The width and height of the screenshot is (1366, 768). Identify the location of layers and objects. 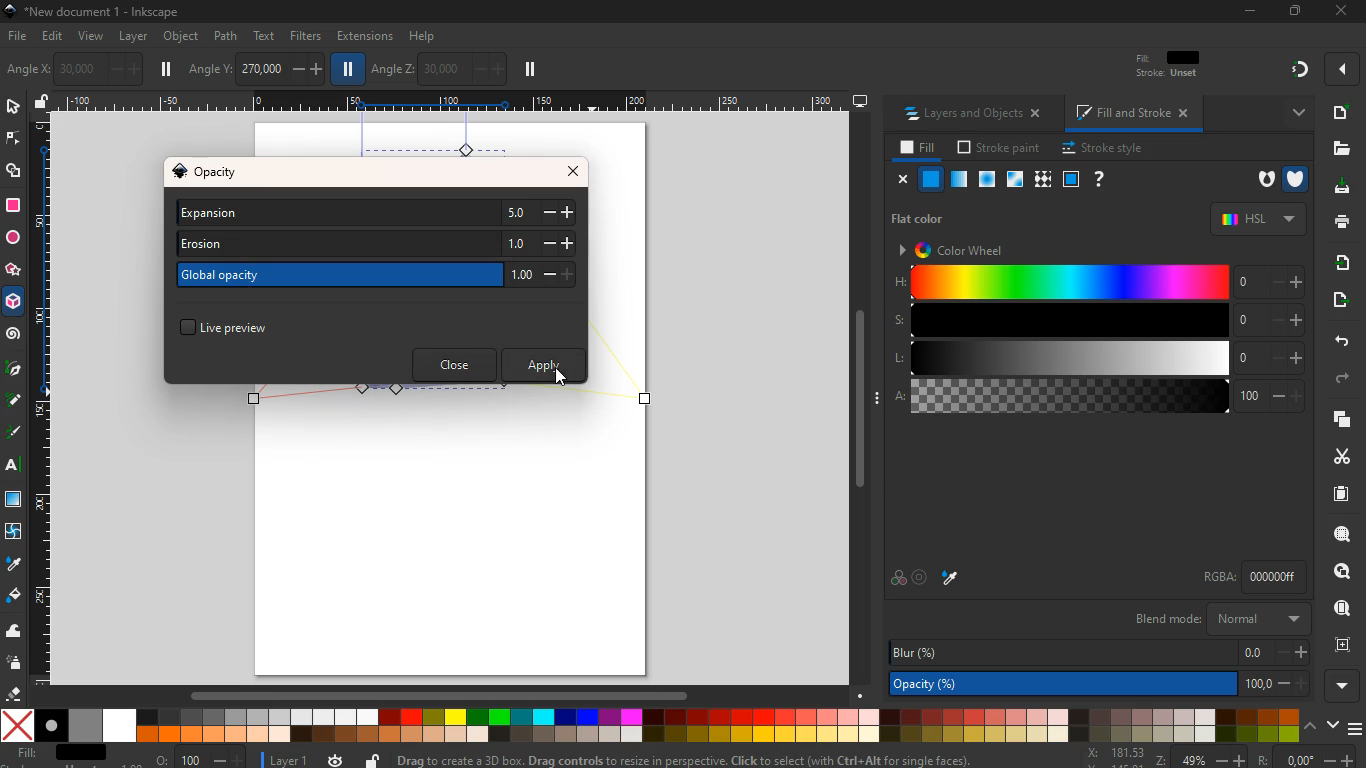
(978, 115).